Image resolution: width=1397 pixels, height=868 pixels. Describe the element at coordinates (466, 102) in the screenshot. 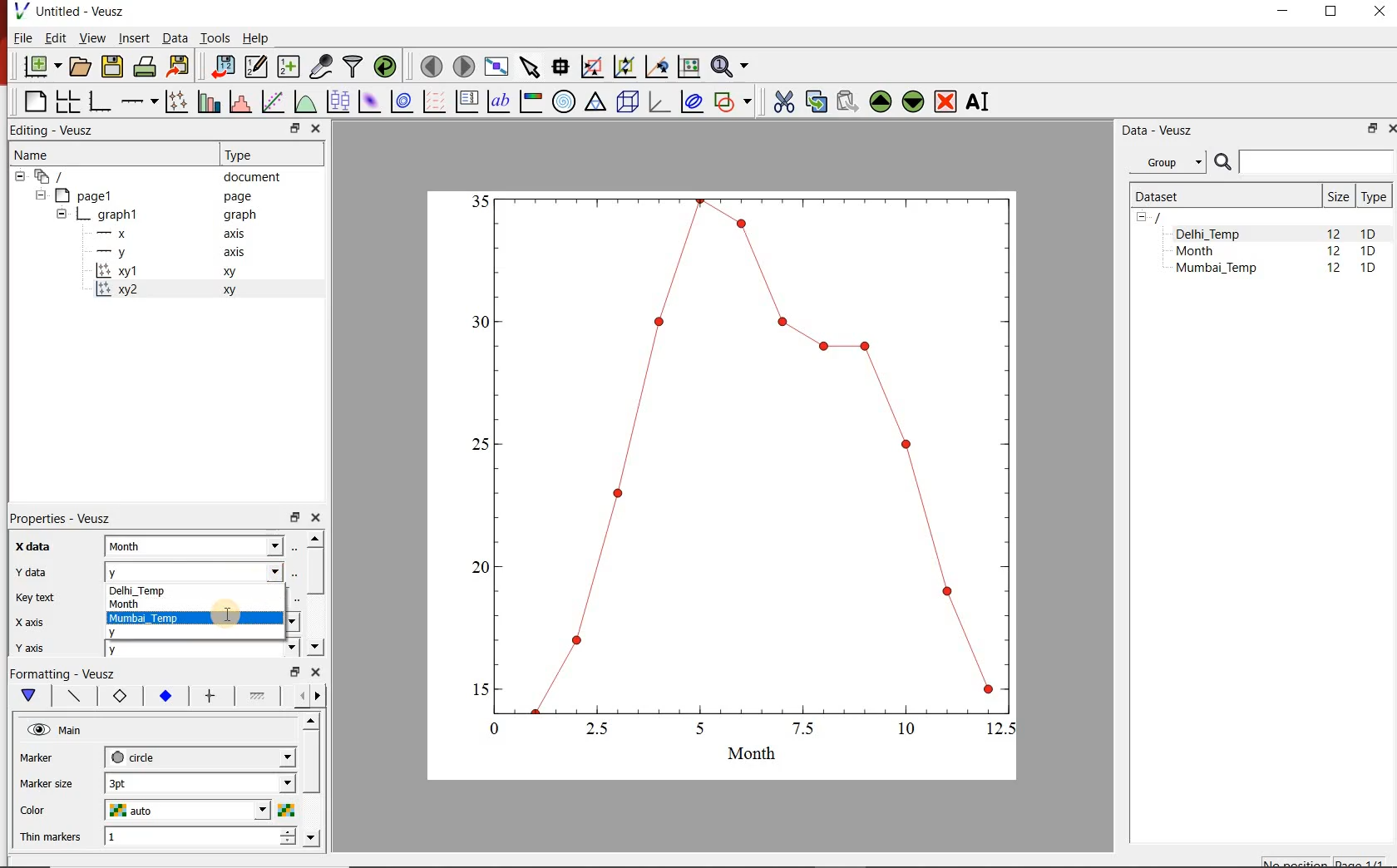

I see `plot key` at that location.